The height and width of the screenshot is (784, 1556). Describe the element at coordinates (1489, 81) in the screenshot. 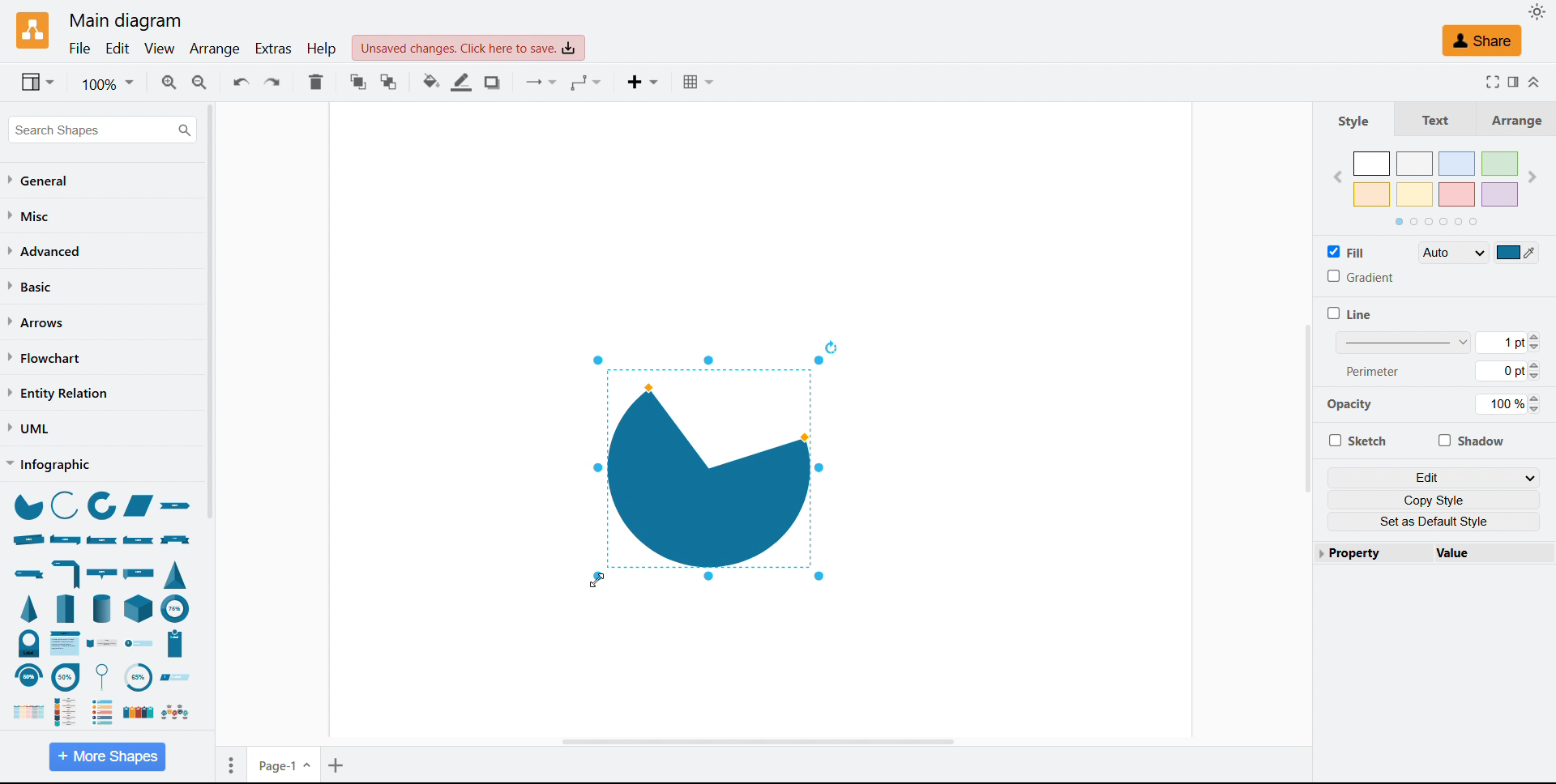

I see `Full screen ` at that location.